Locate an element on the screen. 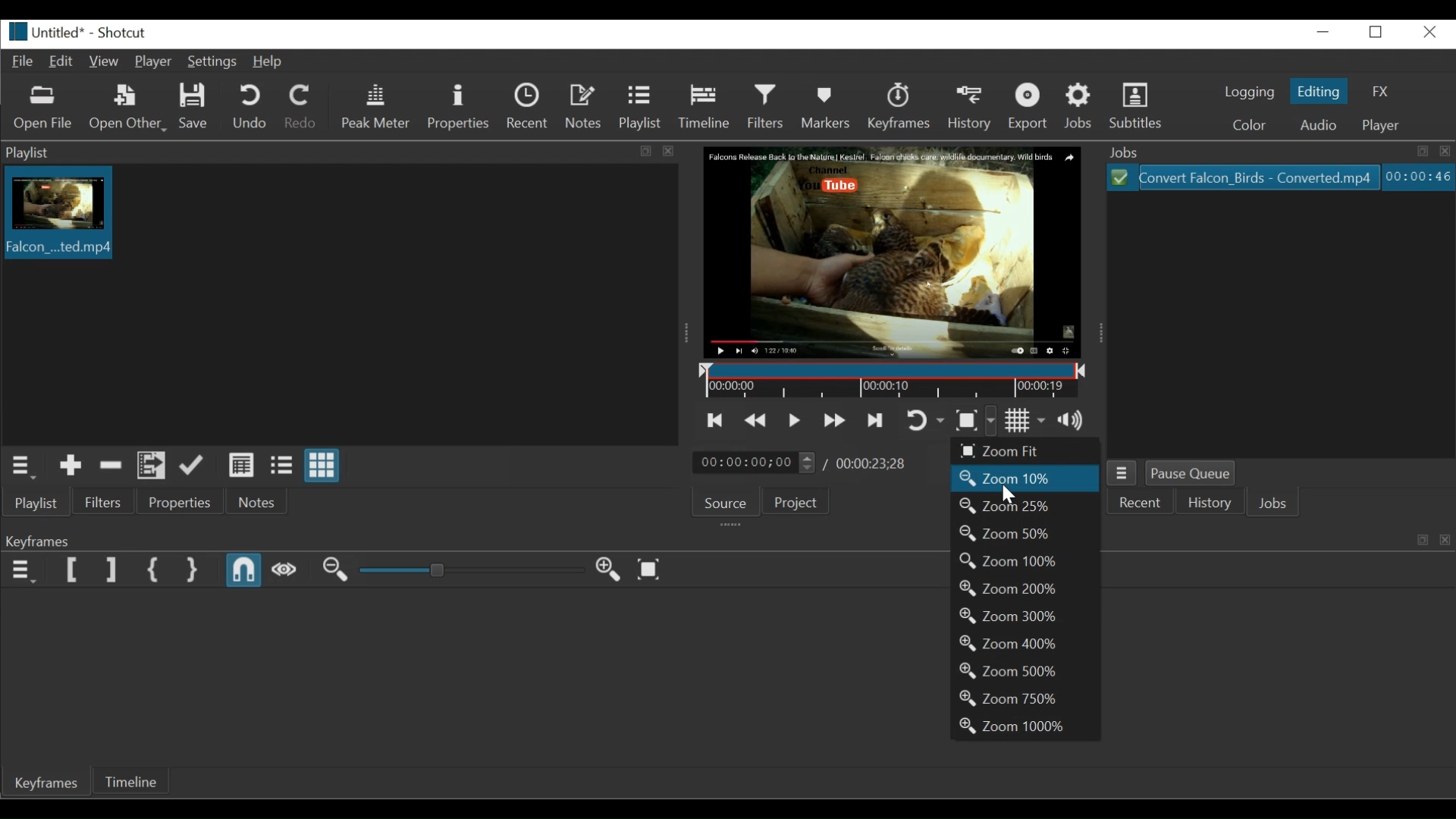  Set Filter First is located at coordinates (71, 570).